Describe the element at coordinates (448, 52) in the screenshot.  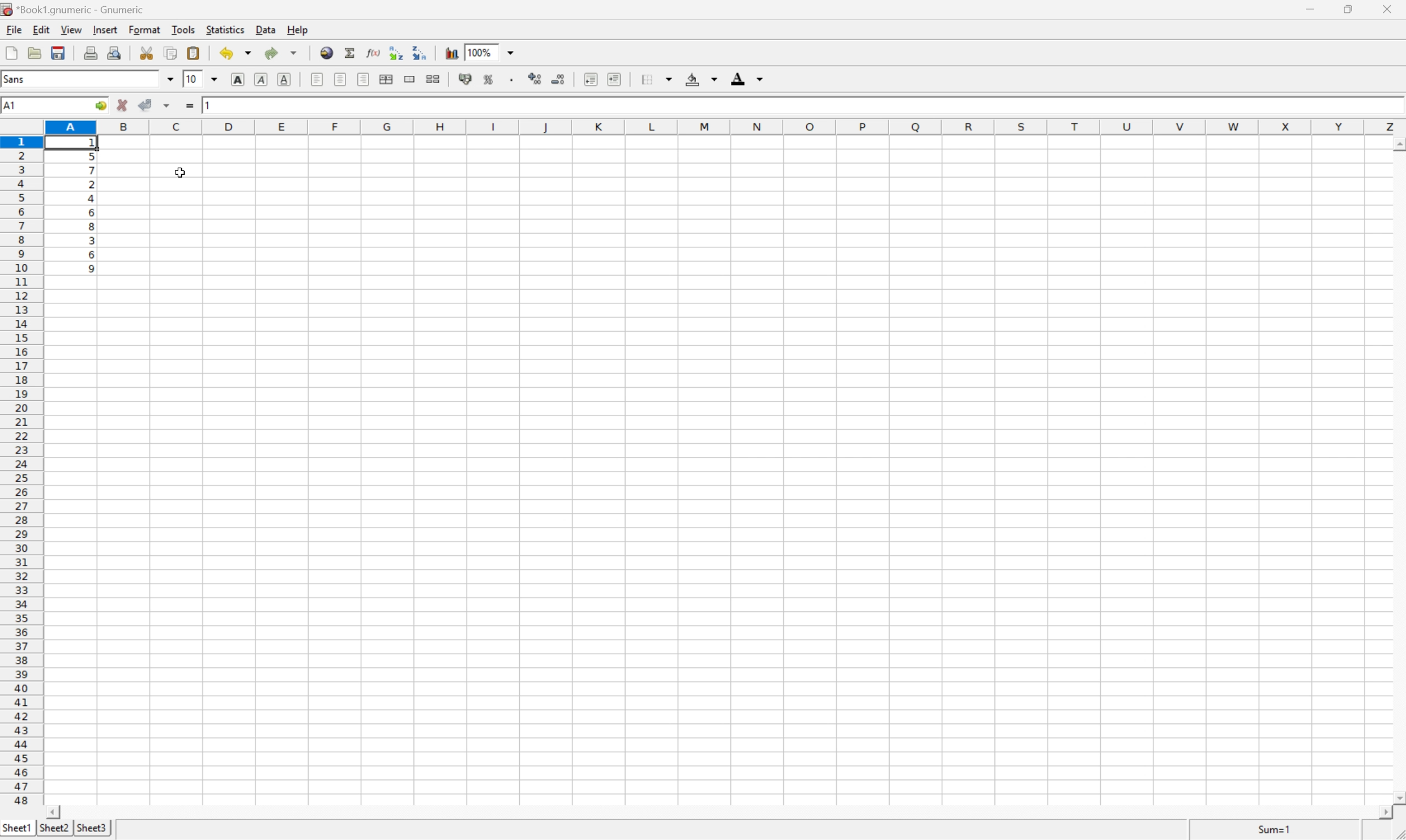
I see `chart` at that location.